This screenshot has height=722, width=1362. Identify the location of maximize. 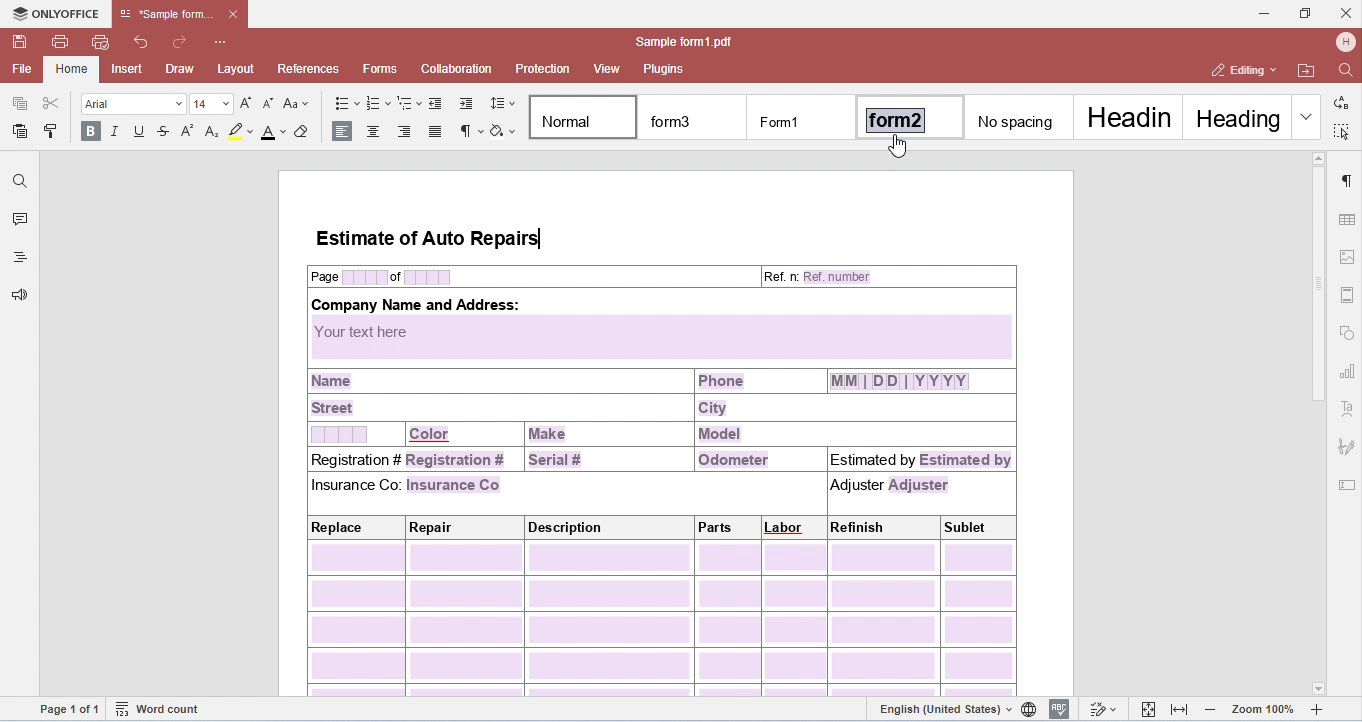
(1304, 12).